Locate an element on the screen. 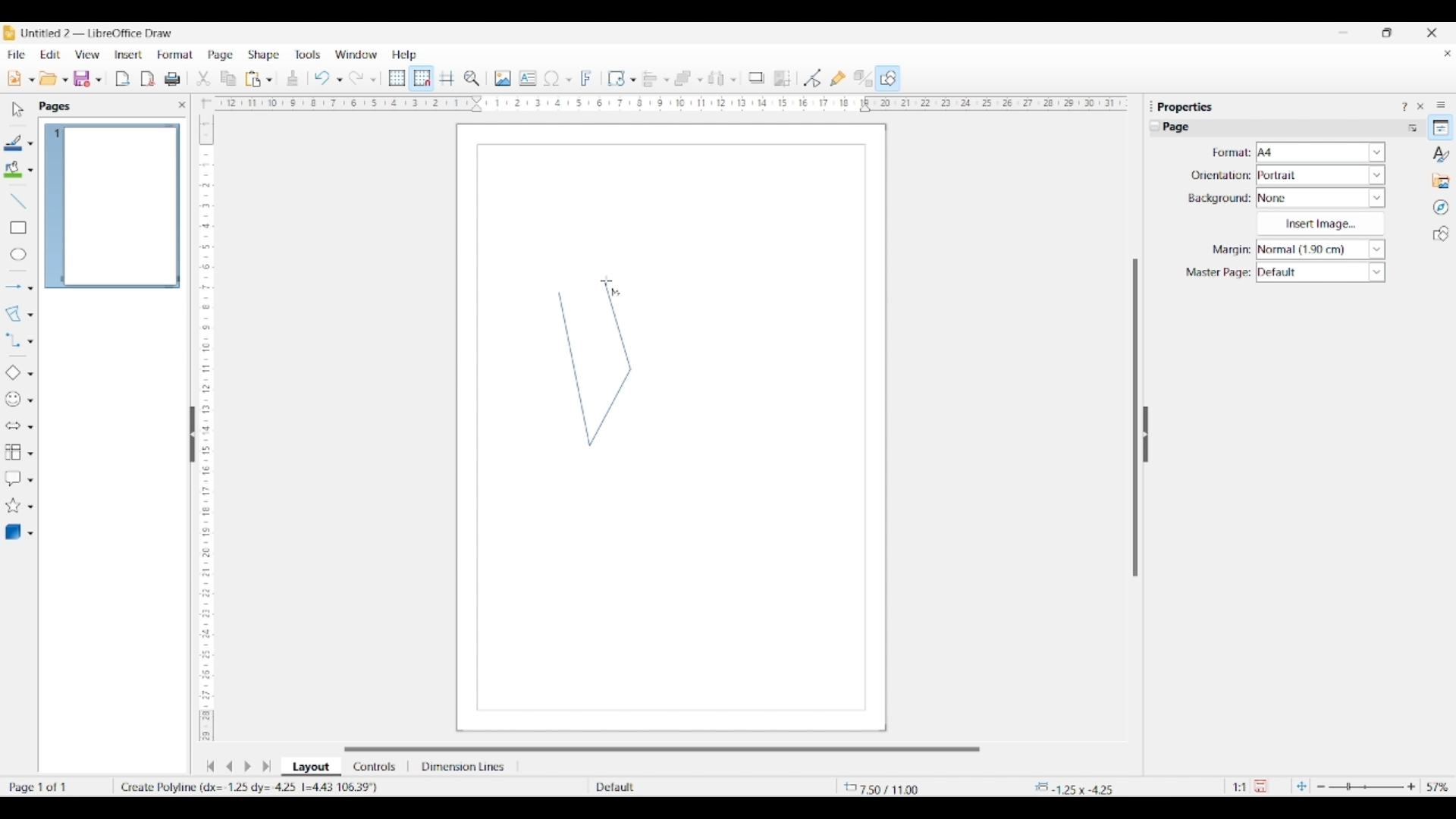 The width and height of the screenshot is (1456, 819). Scaling factor of the document is located at coordinates (1240, 787).